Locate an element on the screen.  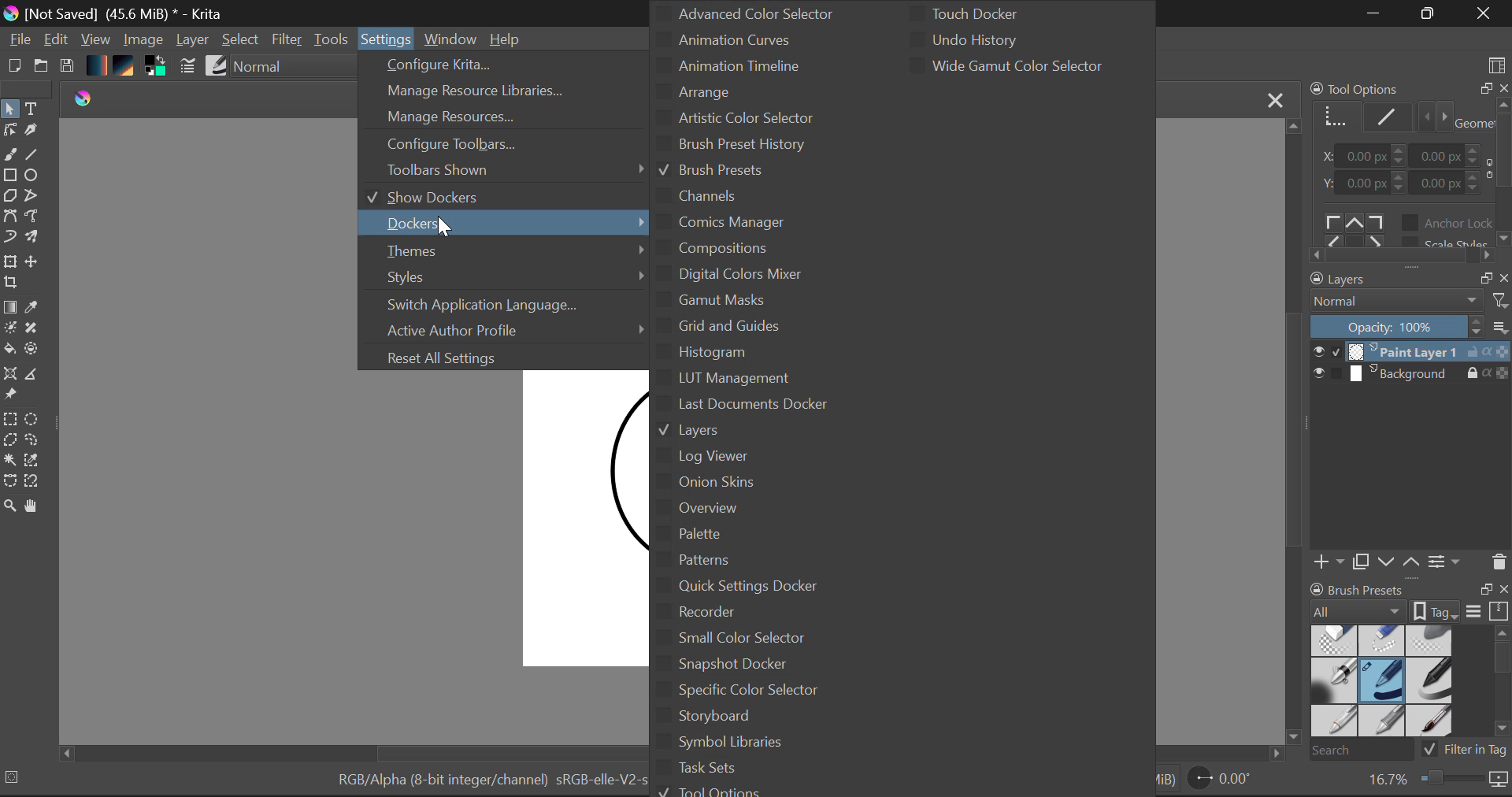
Undo History is located at coordinates (1010, 38).